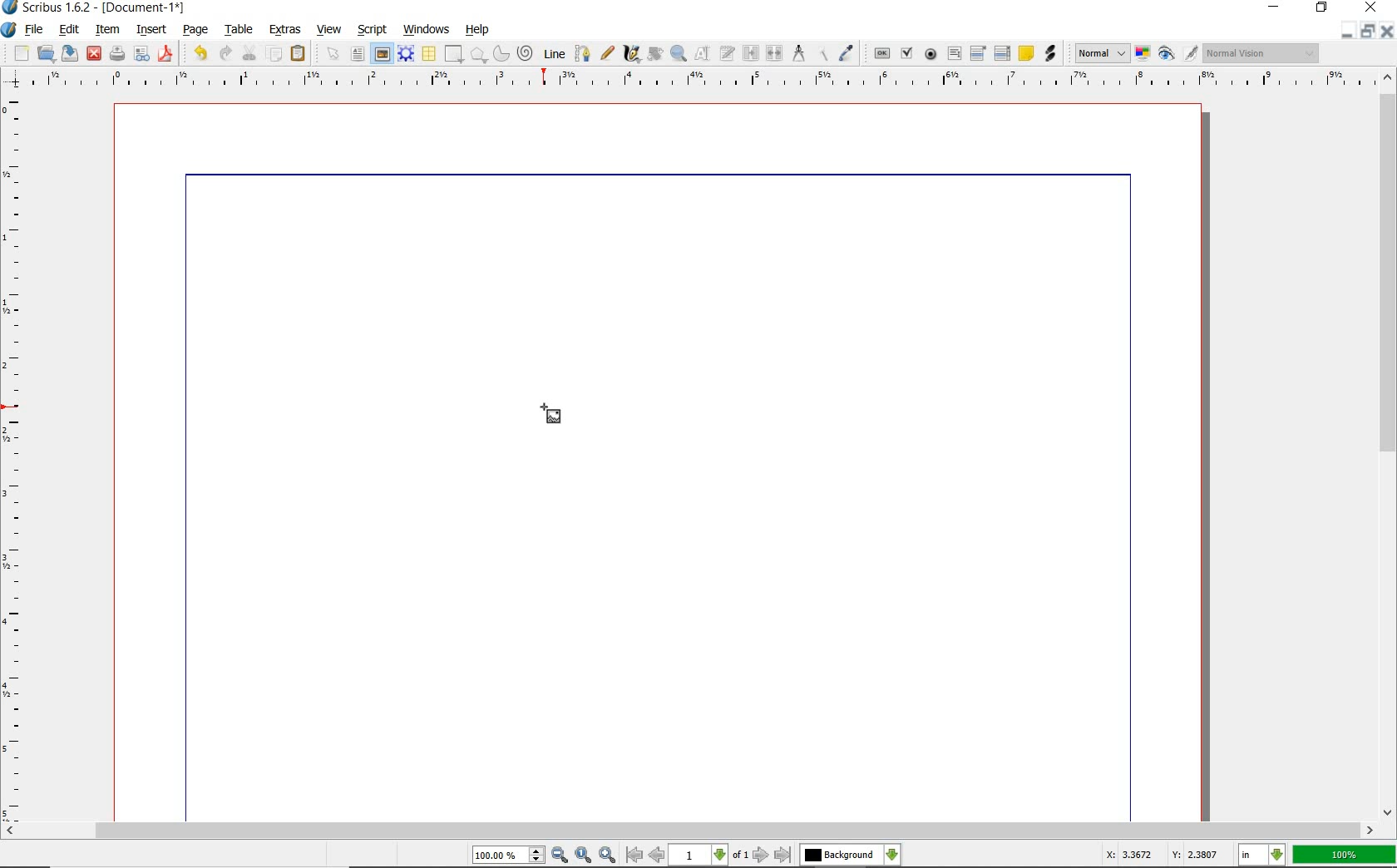 This screenshot has width=1397, height=868. Describe the element at coordinates (1101, 53) in the screenshot. I see `Normal` at that location.